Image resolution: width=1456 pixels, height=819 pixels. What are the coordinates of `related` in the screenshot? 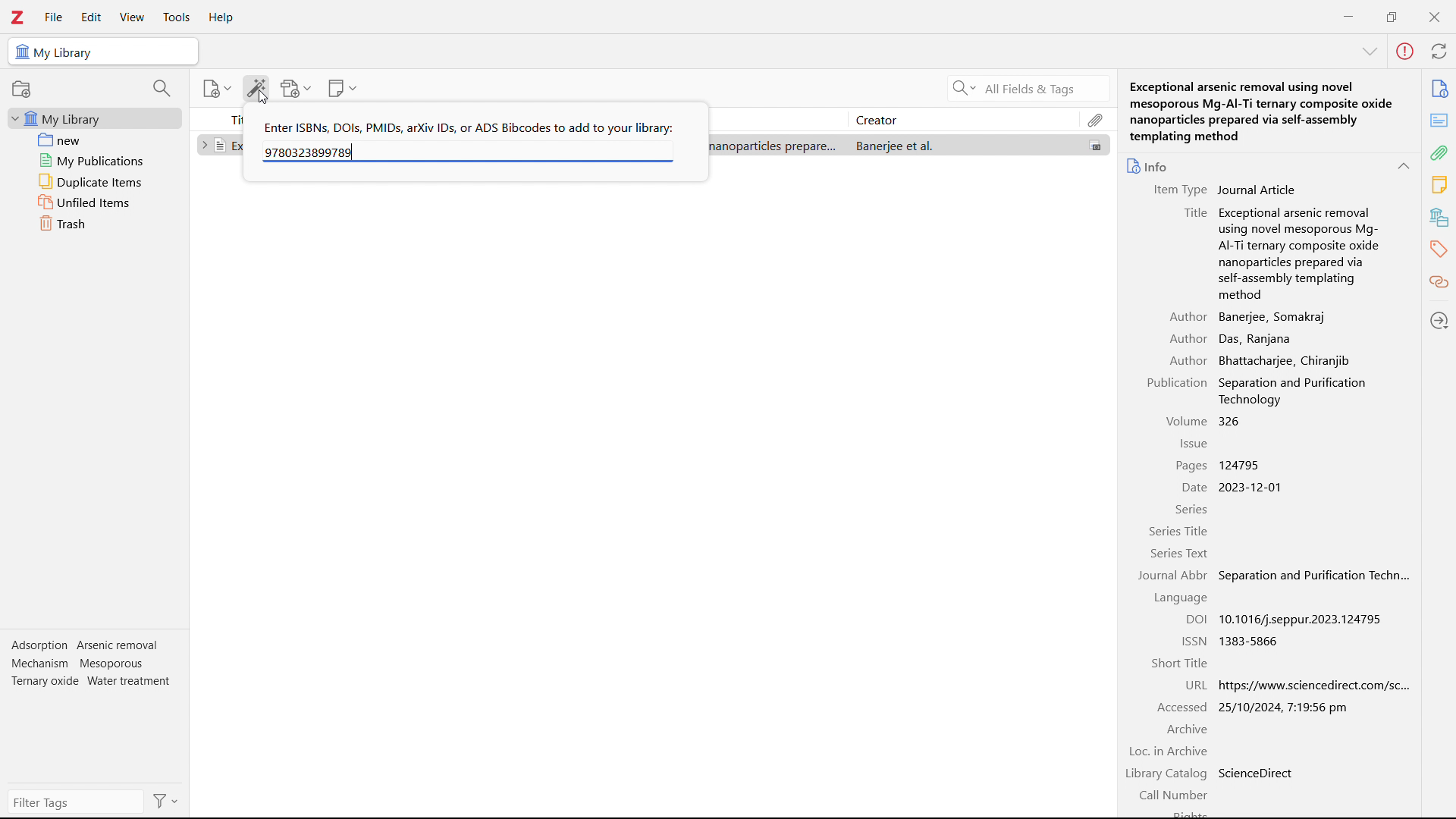 It's located at (1440, 282).